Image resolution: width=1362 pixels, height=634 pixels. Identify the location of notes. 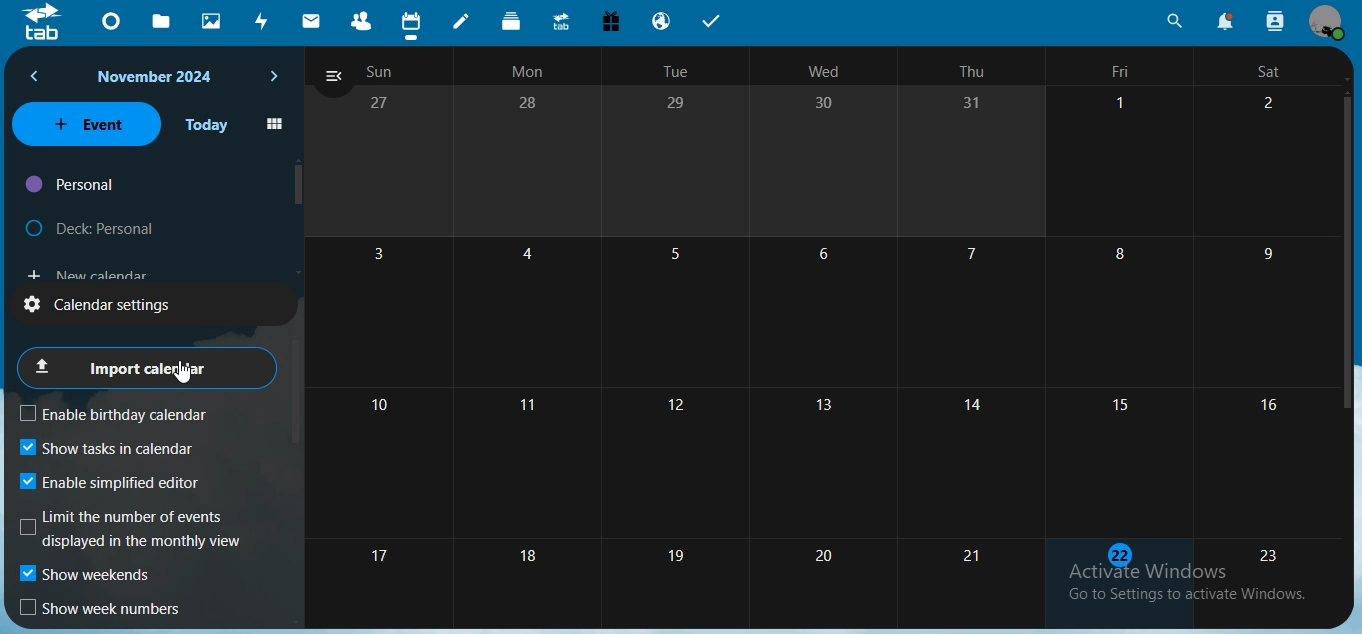
(465, 22).